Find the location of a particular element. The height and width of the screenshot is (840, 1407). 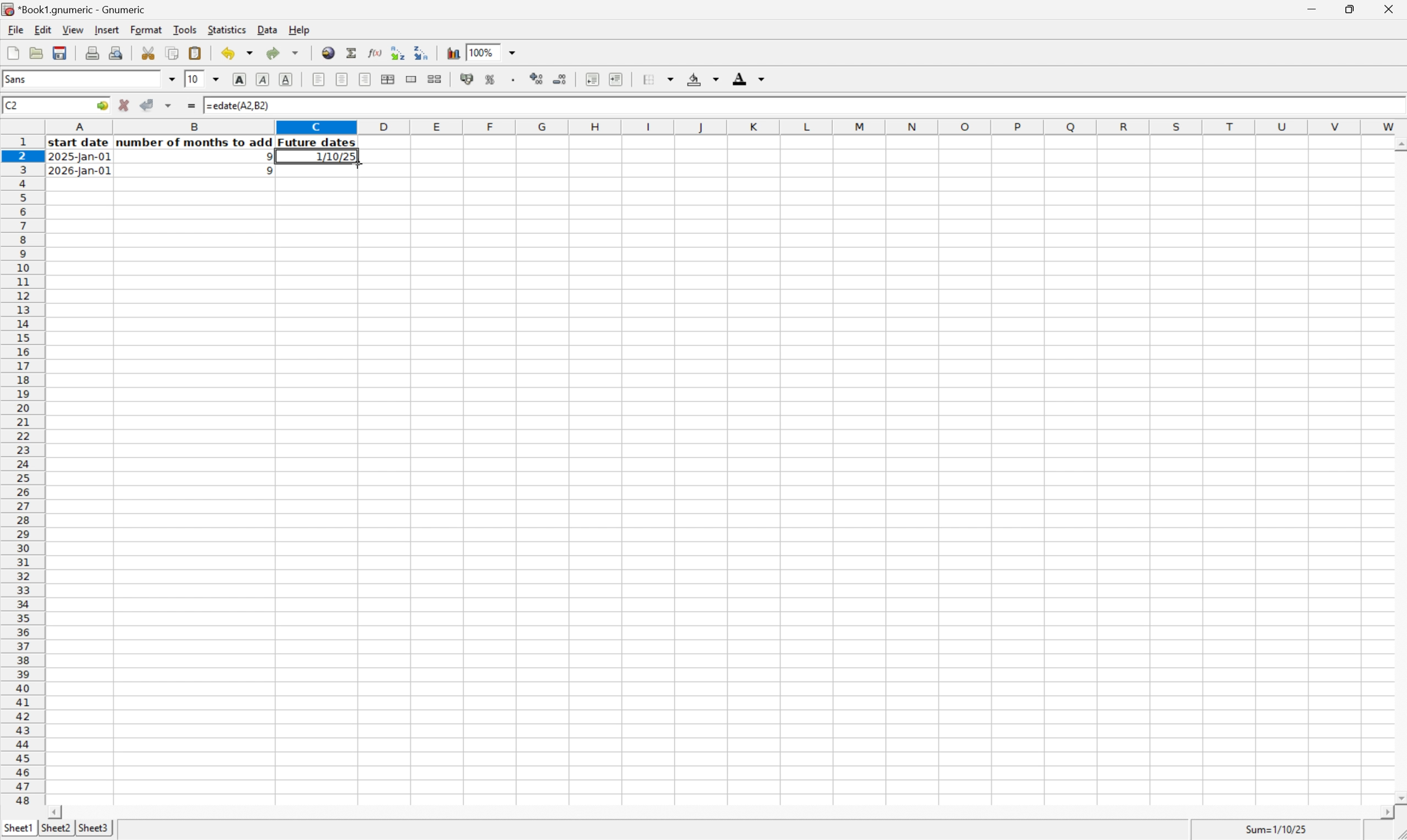

Tools is located at coordinates (186, 29).